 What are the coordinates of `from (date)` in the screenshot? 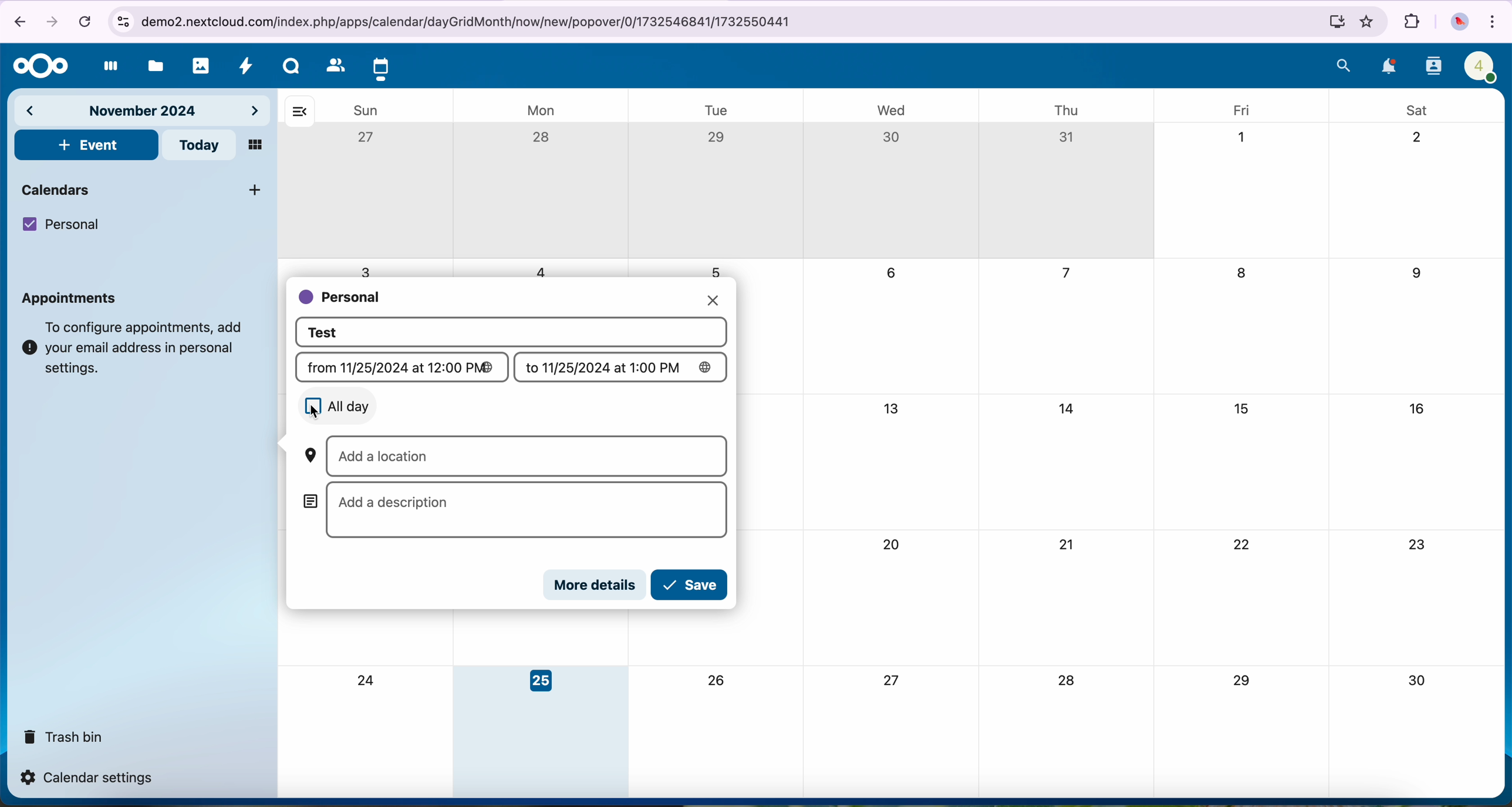 It's located at (403, 368).